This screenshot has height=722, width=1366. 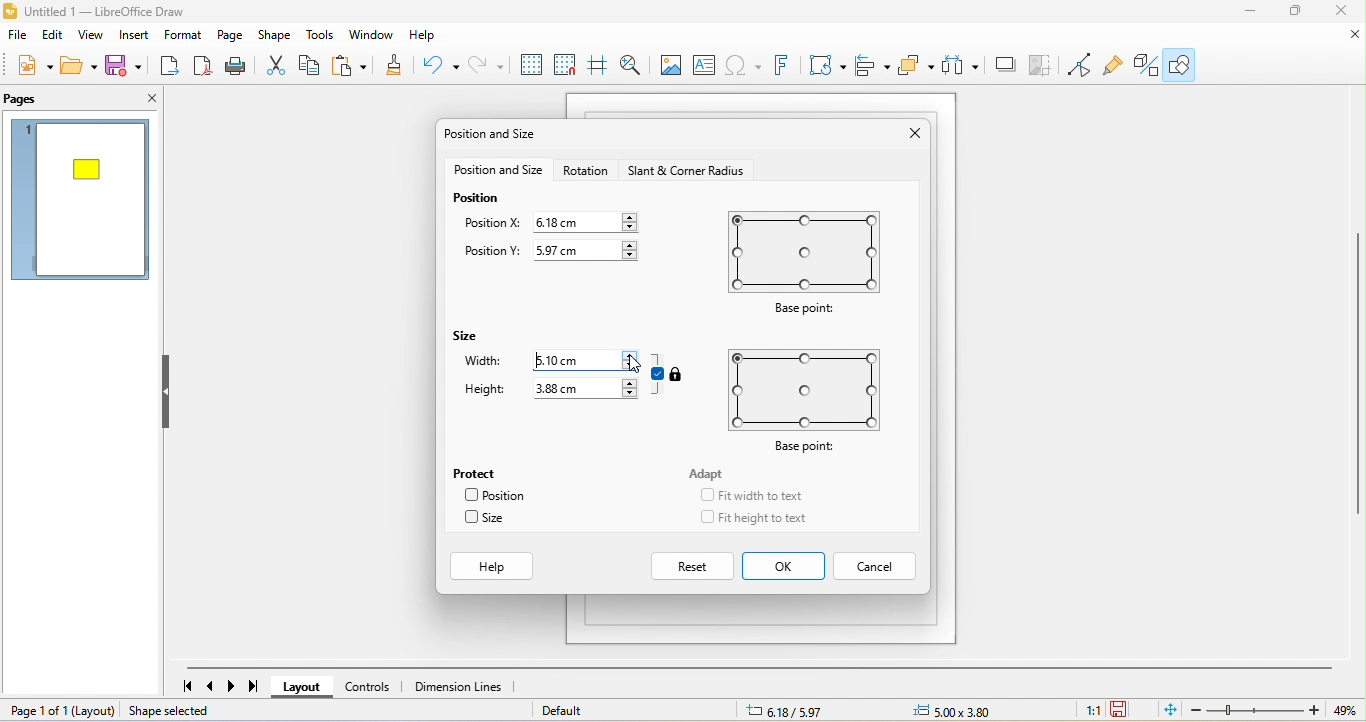 What do you see at coordinates (1351, 36) in the screenshot?
I see `close` at bounding box center [1351, 36].